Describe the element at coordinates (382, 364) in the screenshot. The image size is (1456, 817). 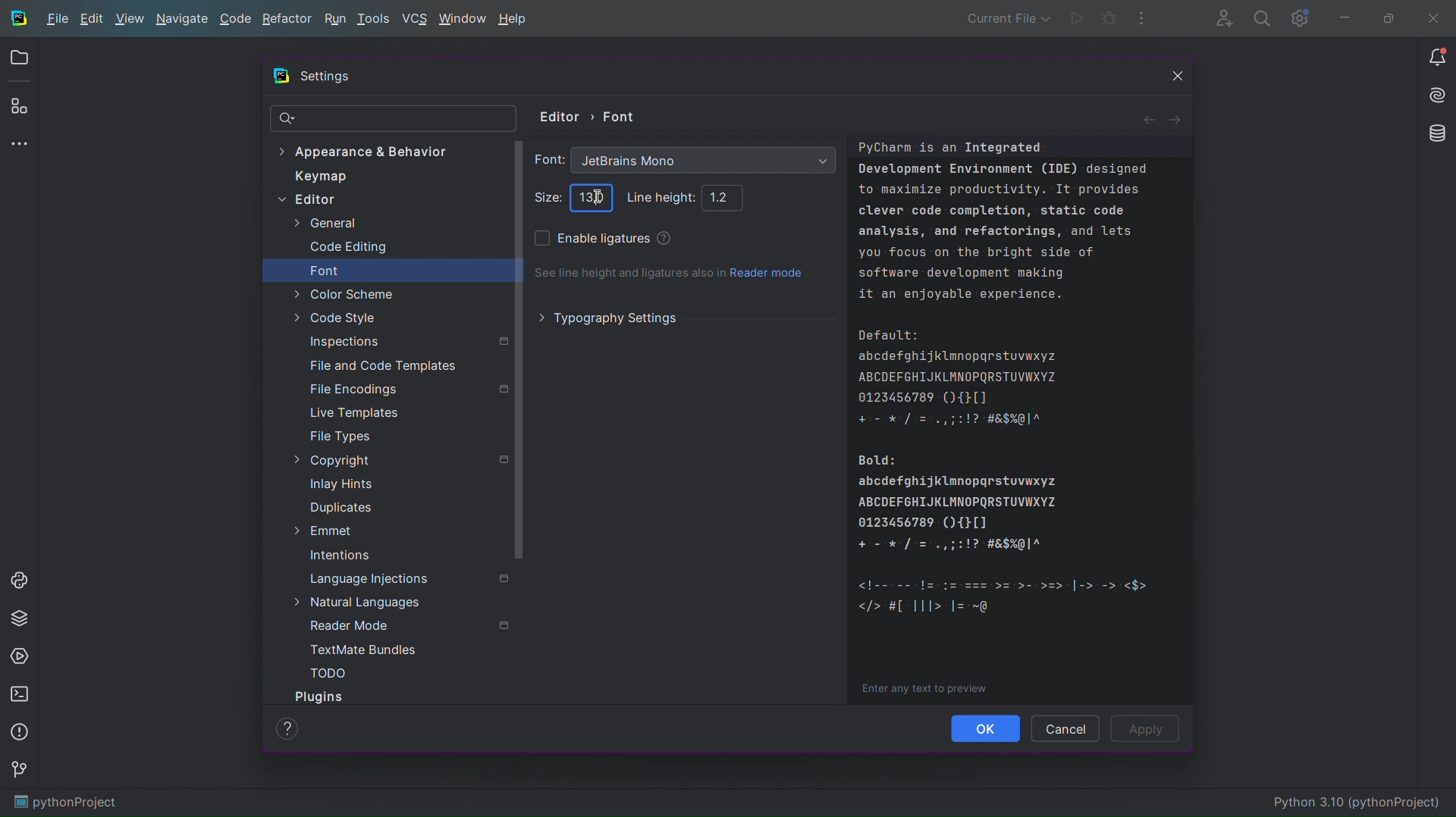
I see `File and Code Templates` at that location.